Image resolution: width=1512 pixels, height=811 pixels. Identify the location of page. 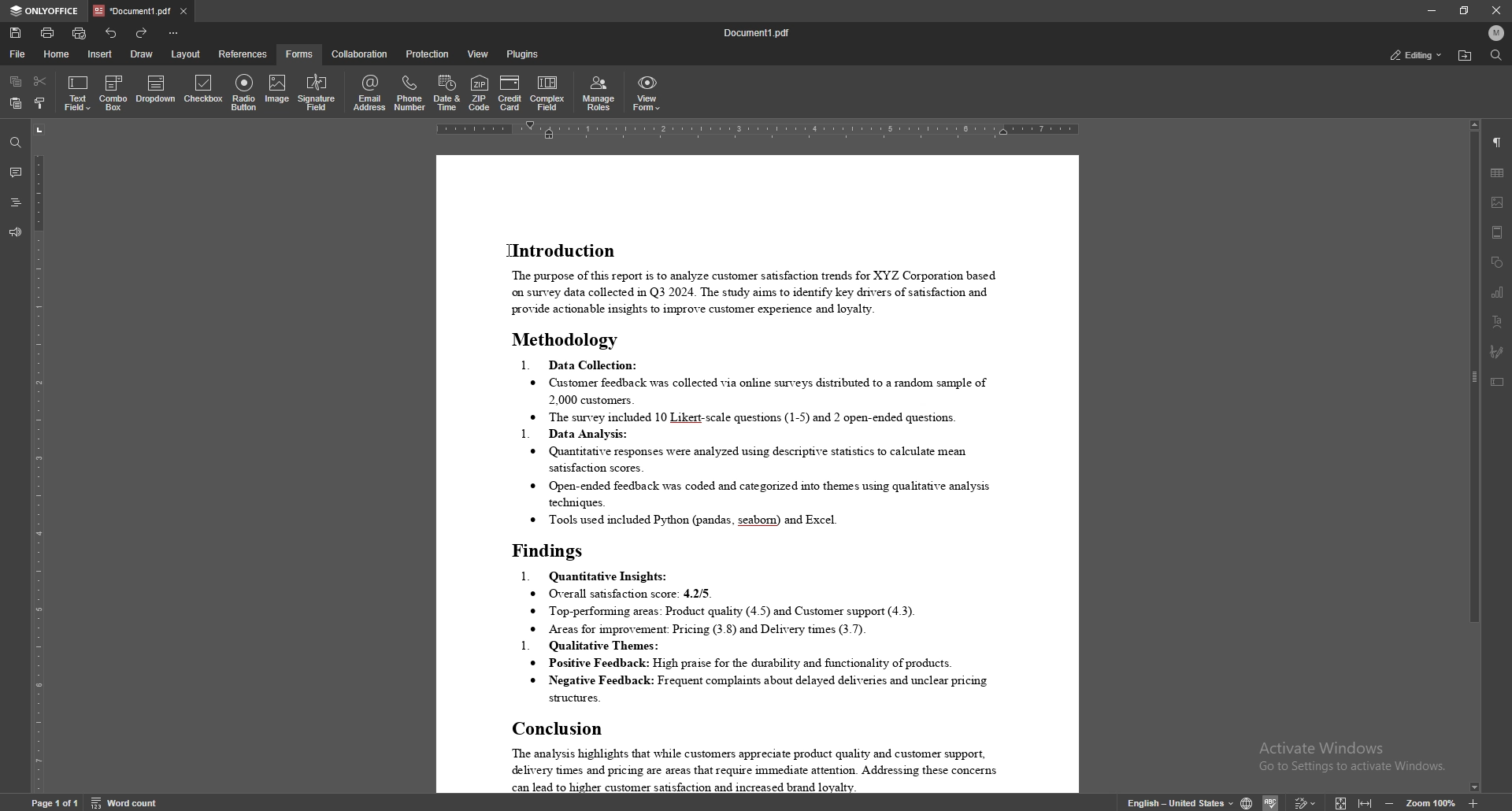
(55, 802).